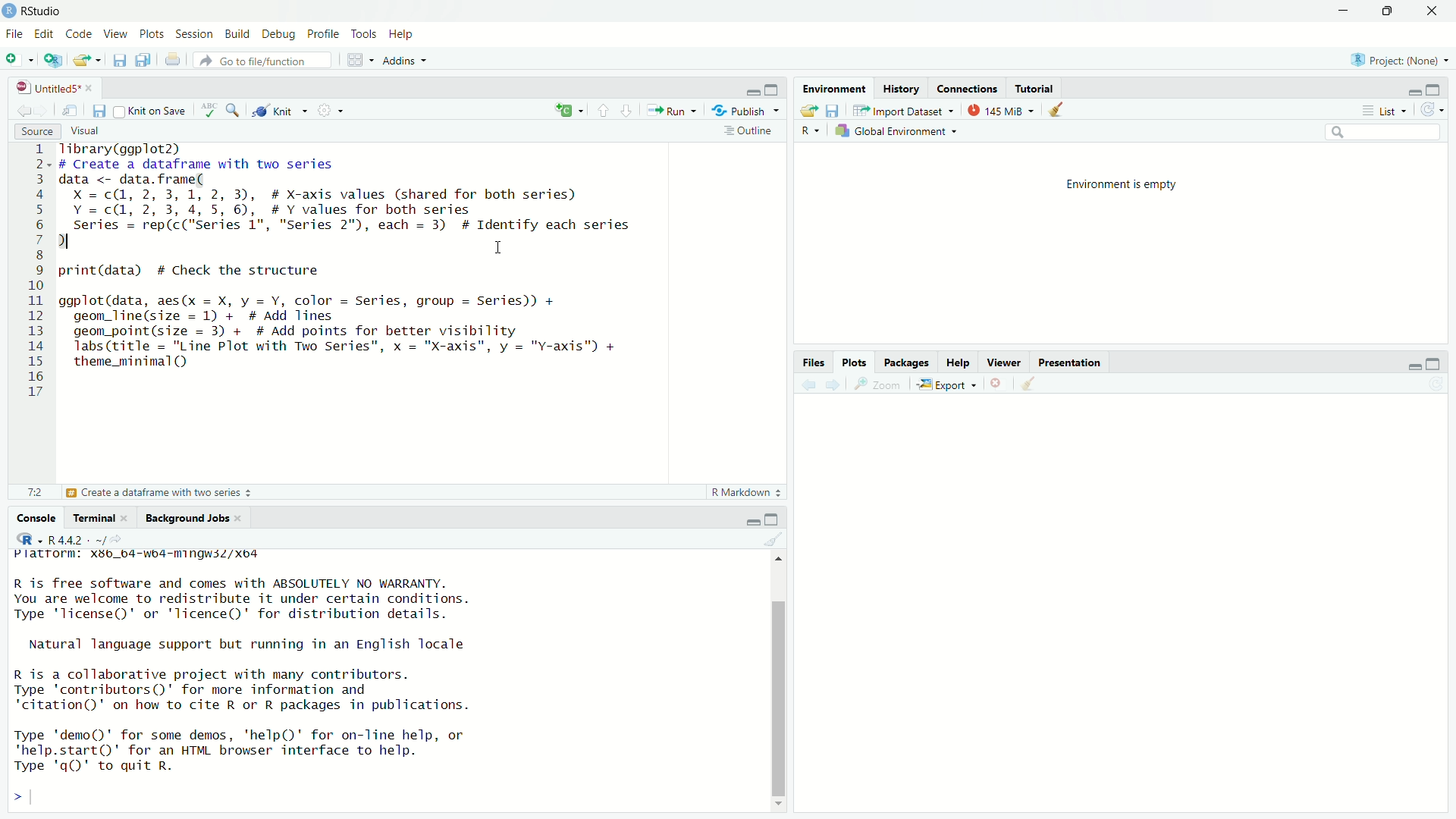  I want to click on Addns, so click(409, 63).